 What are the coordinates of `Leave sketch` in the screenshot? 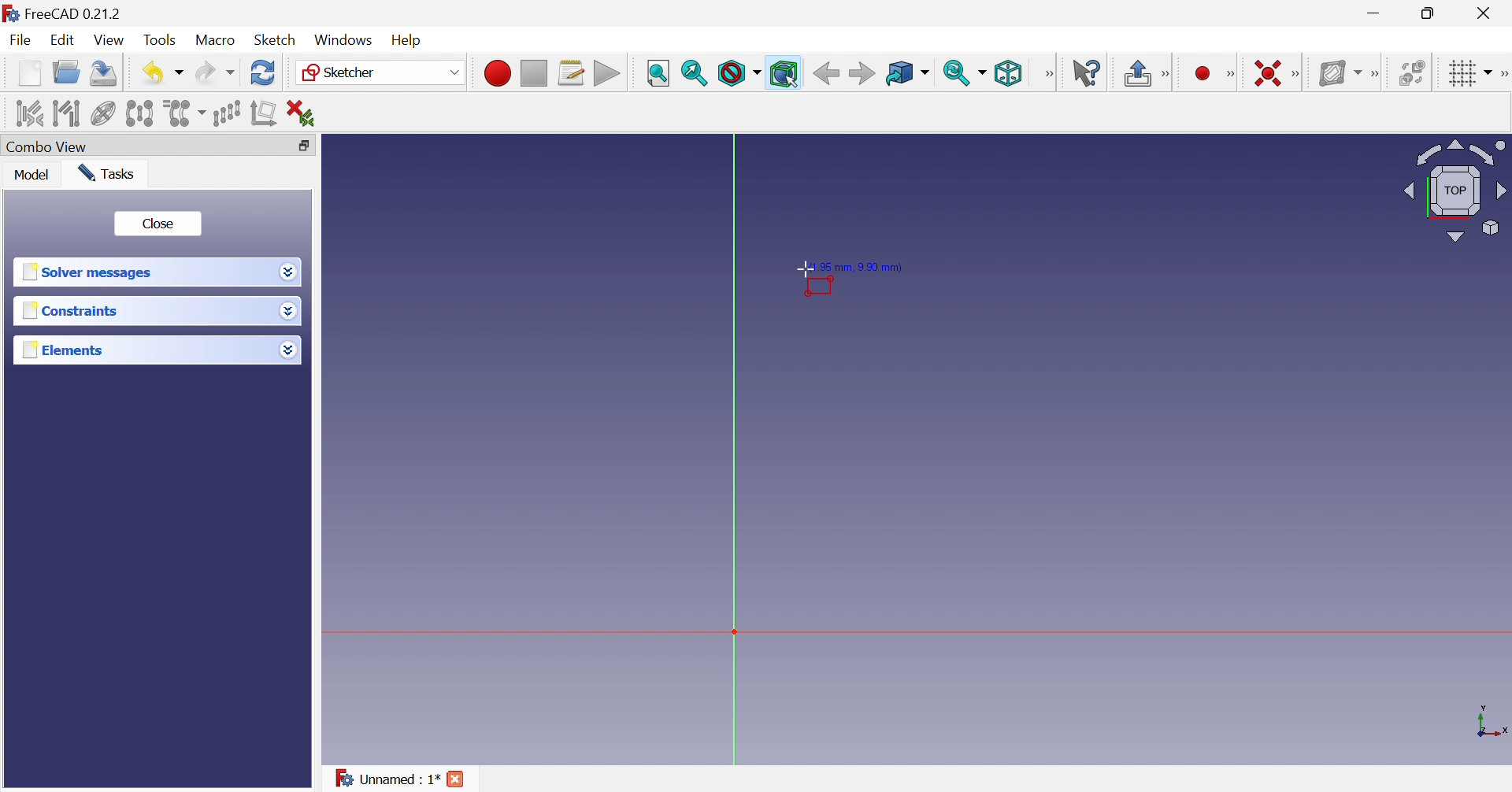 It's located at (1138, 74).